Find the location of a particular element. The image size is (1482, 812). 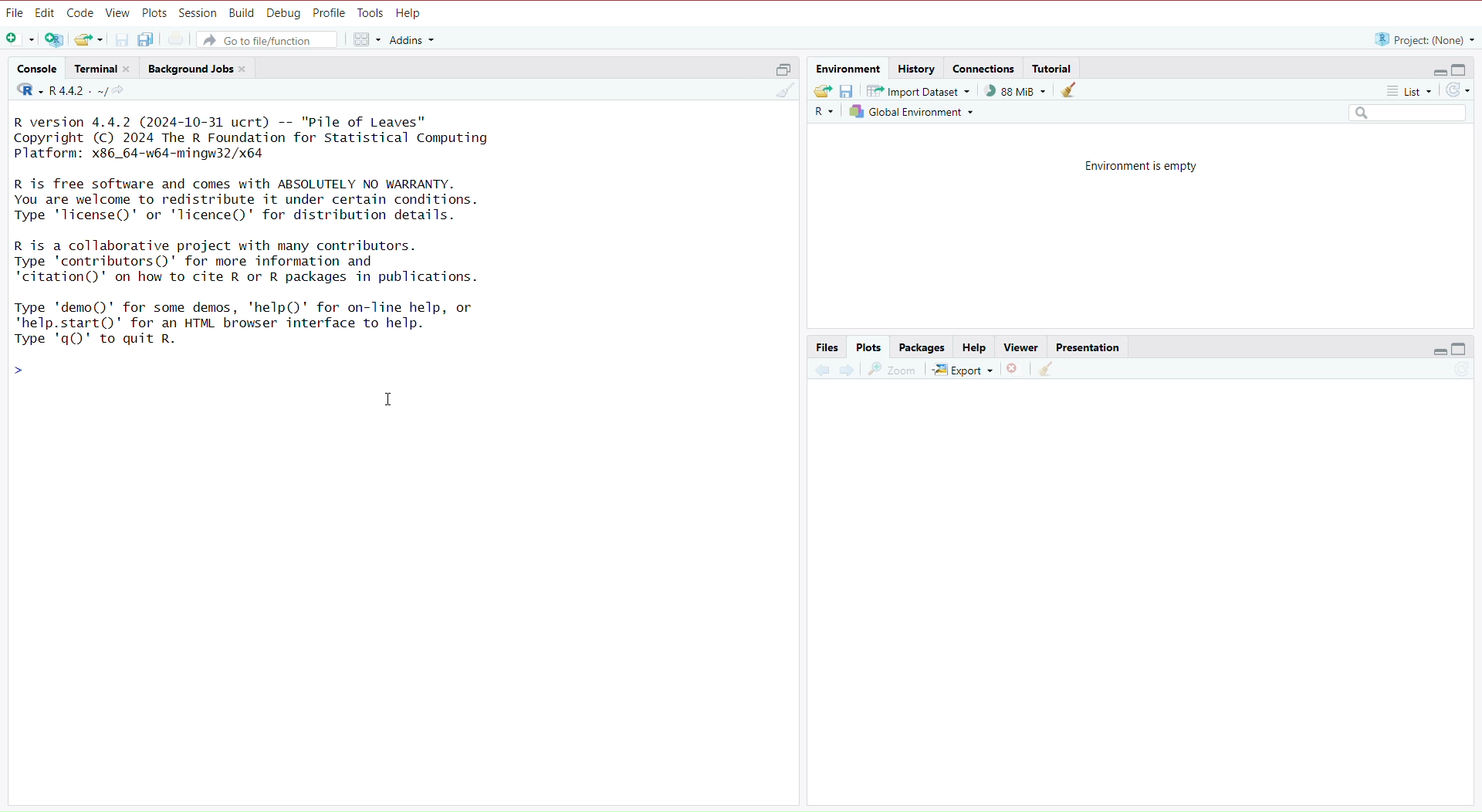

terminal is located at coordinates (106, 69).